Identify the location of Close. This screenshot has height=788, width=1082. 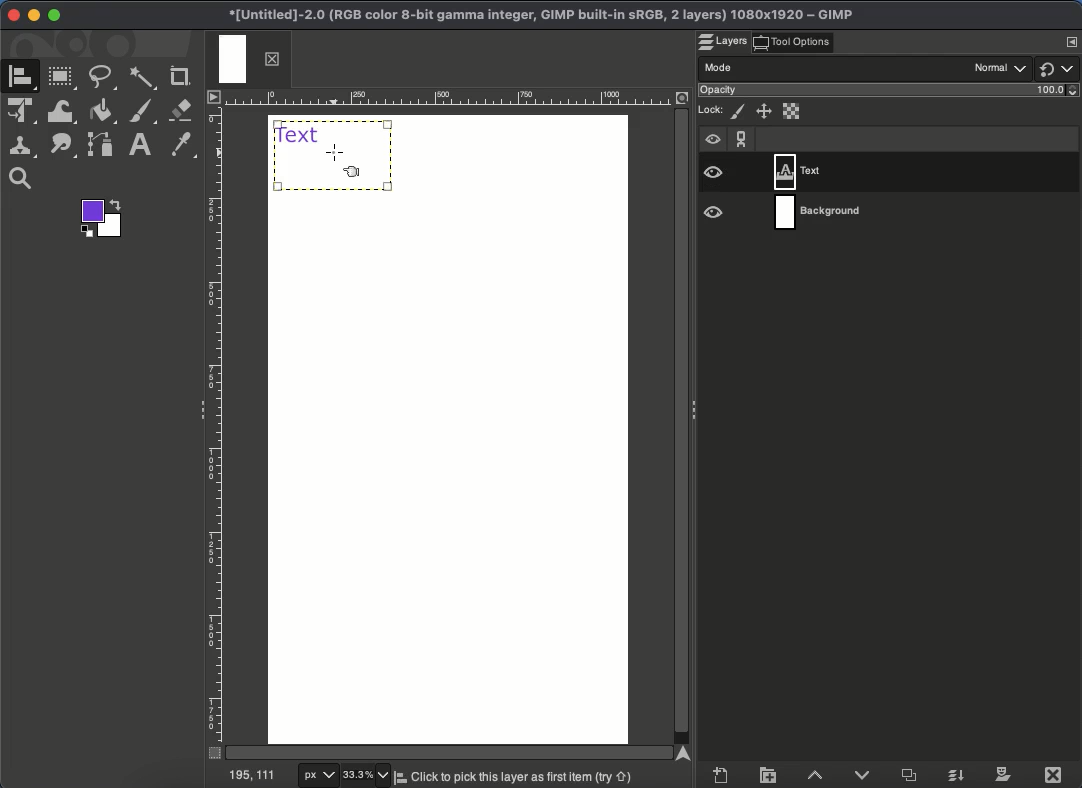
(1056, 773).